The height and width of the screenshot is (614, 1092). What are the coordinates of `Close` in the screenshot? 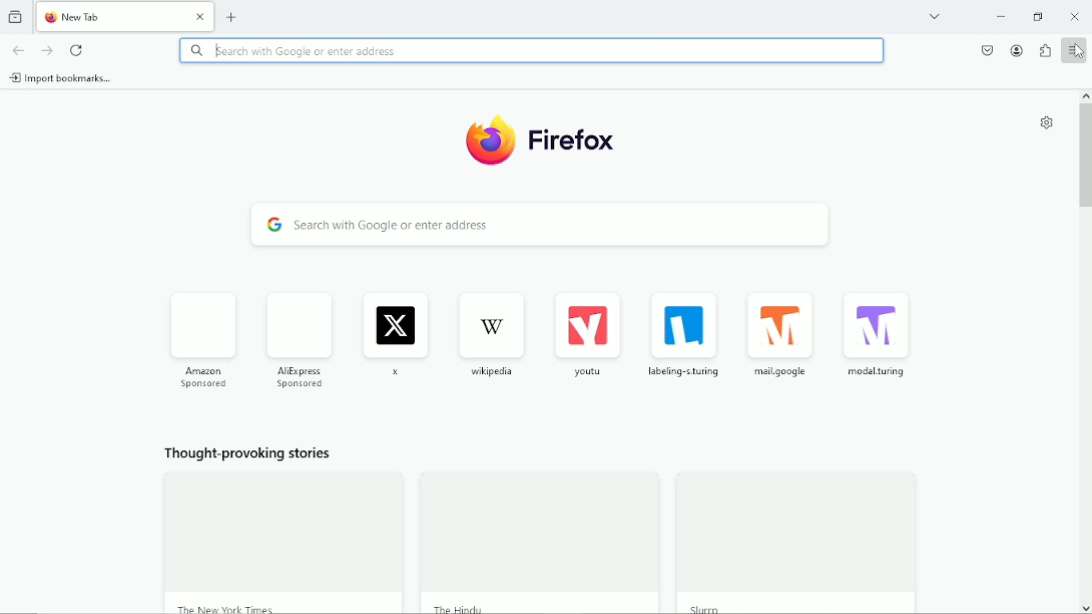 It's located at (1074, 14).